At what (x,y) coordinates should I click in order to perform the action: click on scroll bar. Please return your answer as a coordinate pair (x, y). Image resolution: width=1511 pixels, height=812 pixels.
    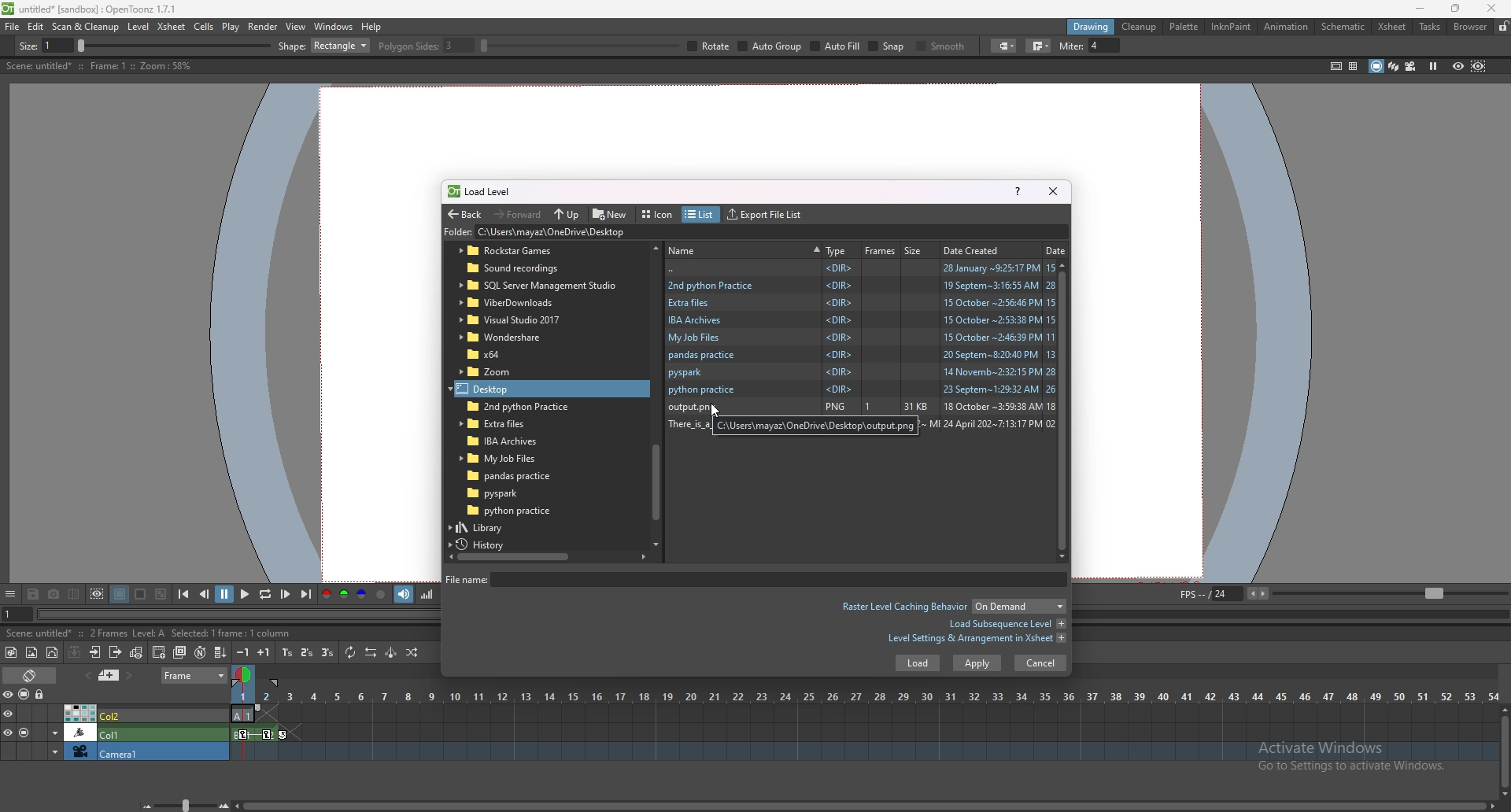
    Looking at the image, I should click on (866, 804).